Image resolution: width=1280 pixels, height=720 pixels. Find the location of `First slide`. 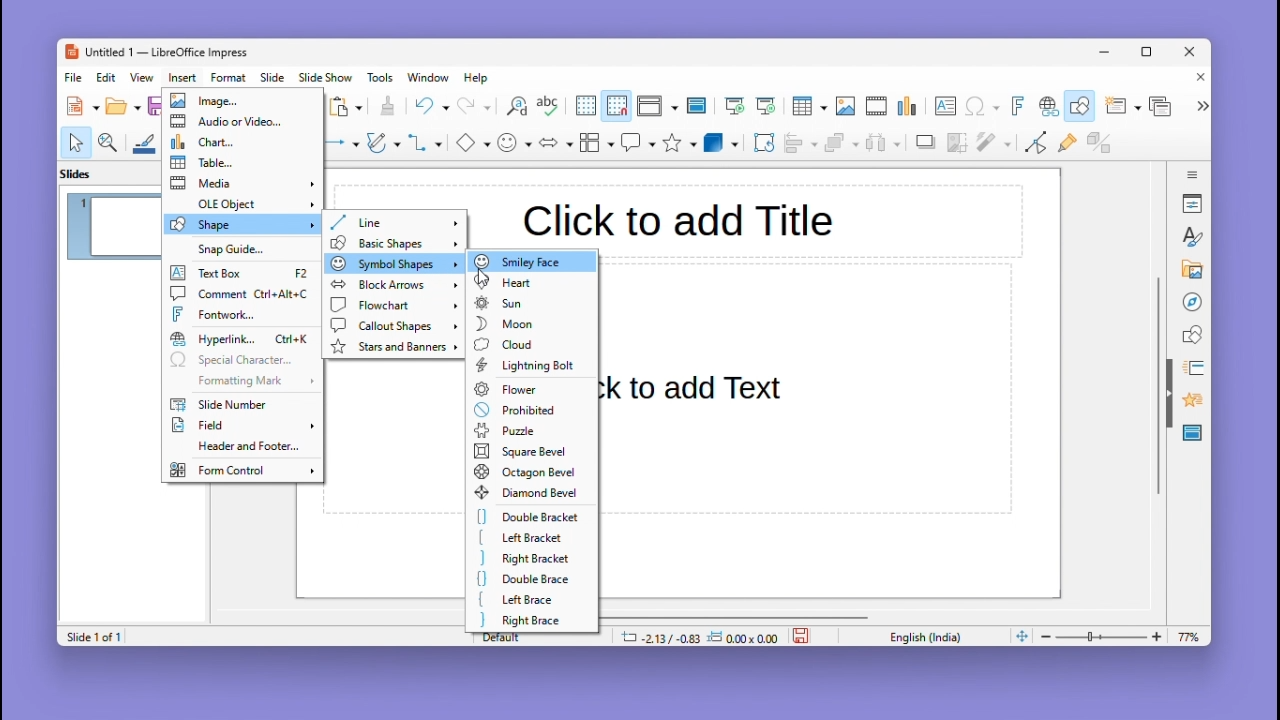

First slide is located at coordinates (735, 107).